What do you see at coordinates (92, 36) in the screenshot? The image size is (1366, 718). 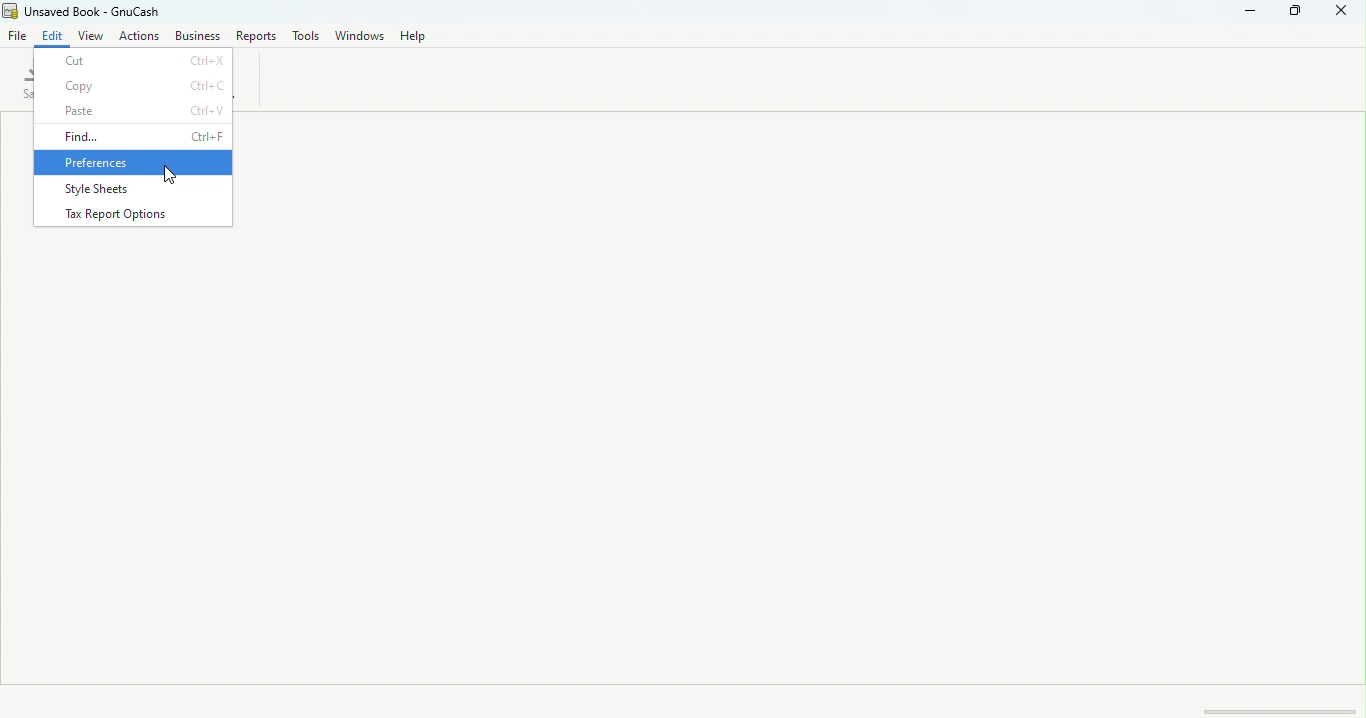 I see `View` at bounding box center [92, 36].